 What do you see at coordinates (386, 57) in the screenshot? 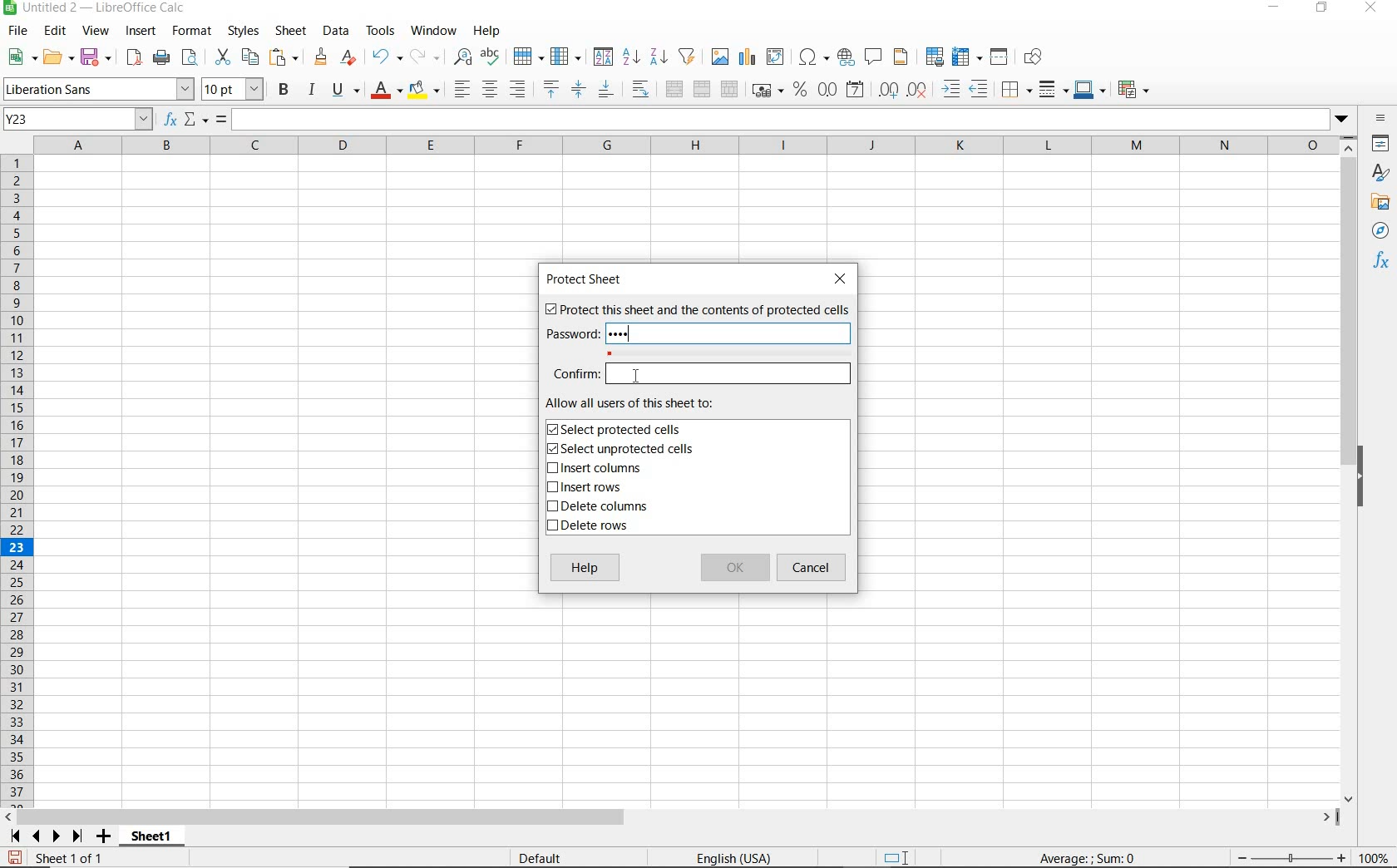
I see `UNDO` at bounding box center [386, 57].